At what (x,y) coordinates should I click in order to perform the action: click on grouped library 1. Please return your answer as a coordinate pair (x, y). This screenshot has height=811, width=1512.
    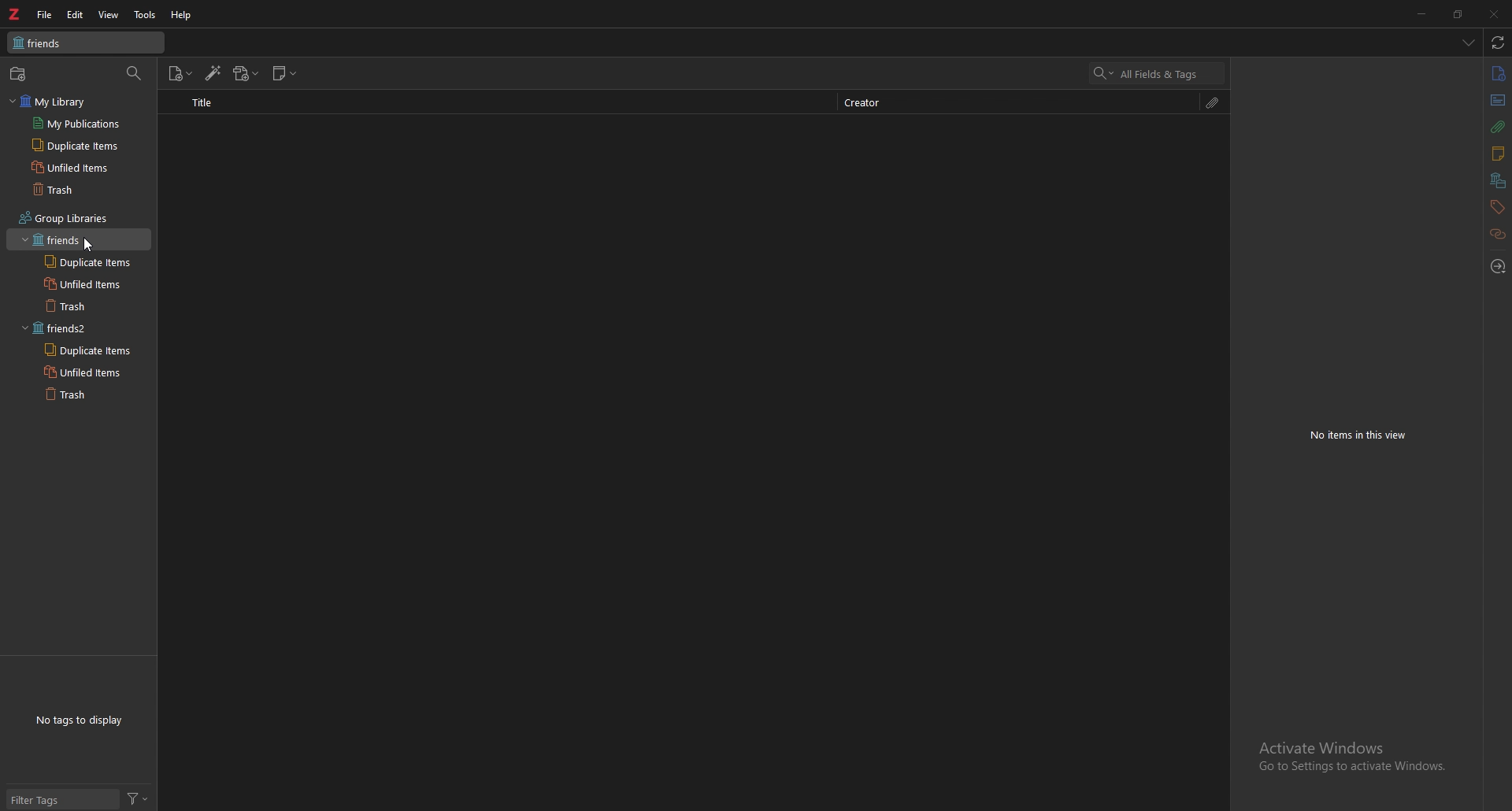
    Looking at the image, I should click on (79, 239).